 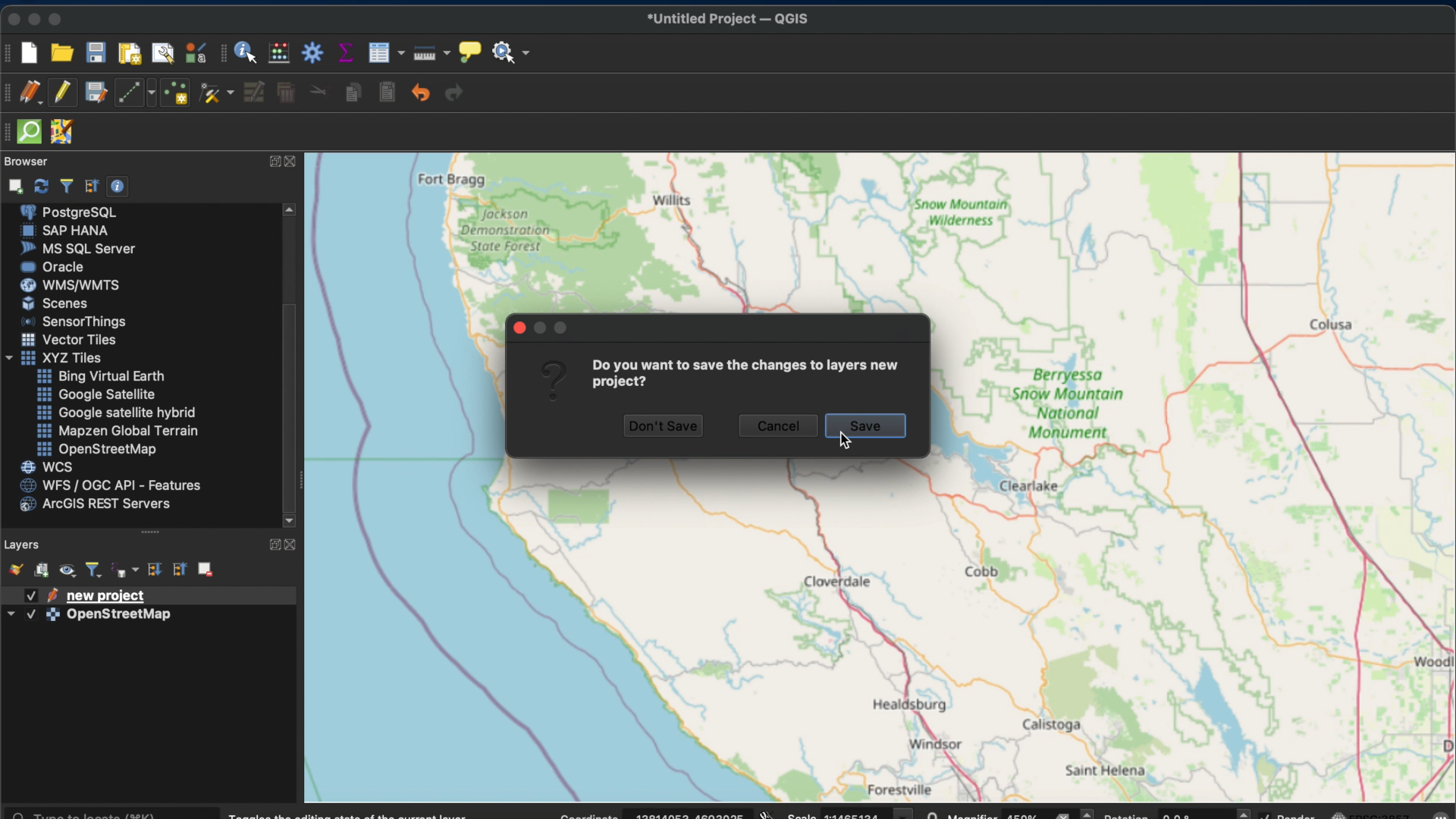 What do you see at coordinates (163, 54) in the screenshot?
I see `showlayout manager` at bounding box center [163, 54].